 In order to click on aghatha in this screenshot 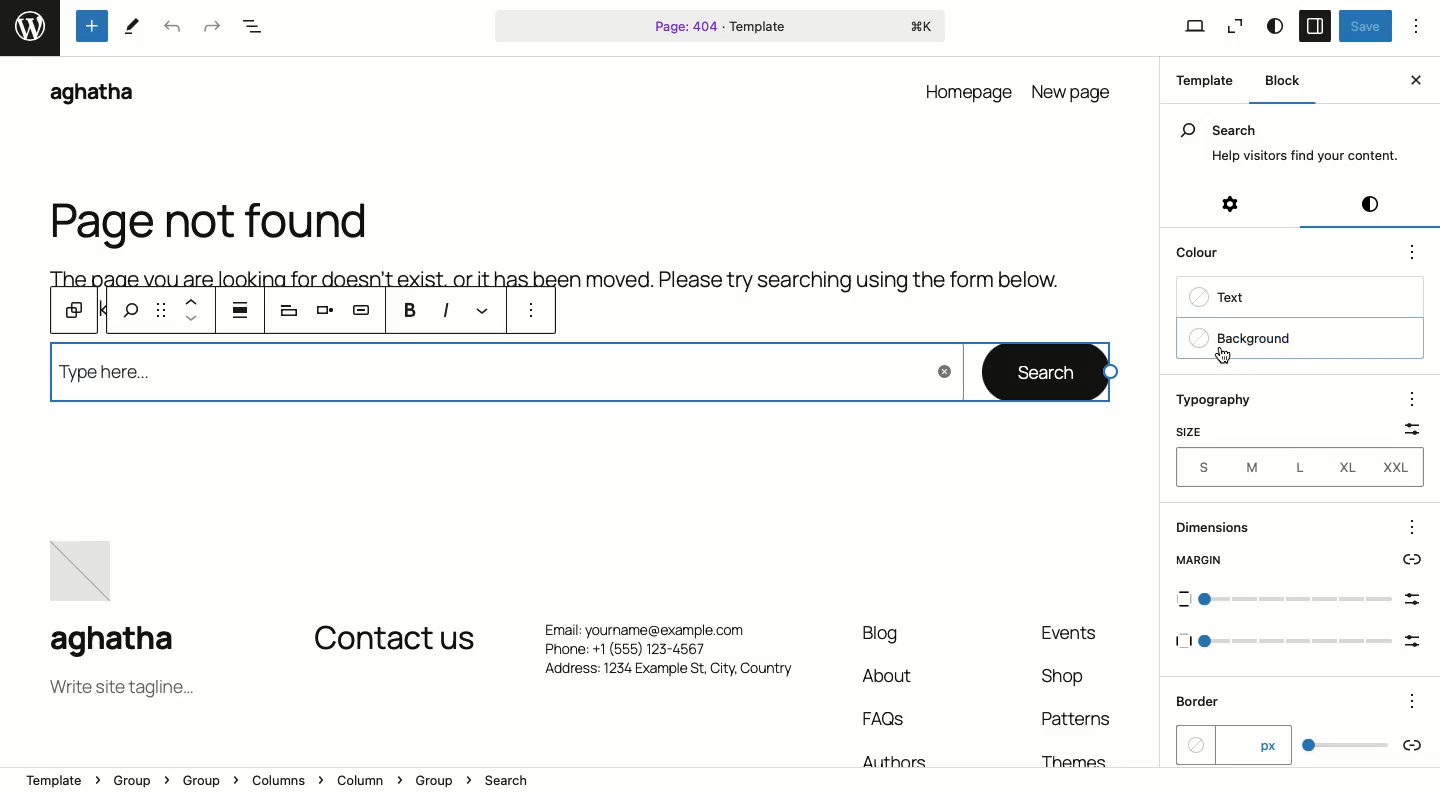, I will do `click(90, 93)`.